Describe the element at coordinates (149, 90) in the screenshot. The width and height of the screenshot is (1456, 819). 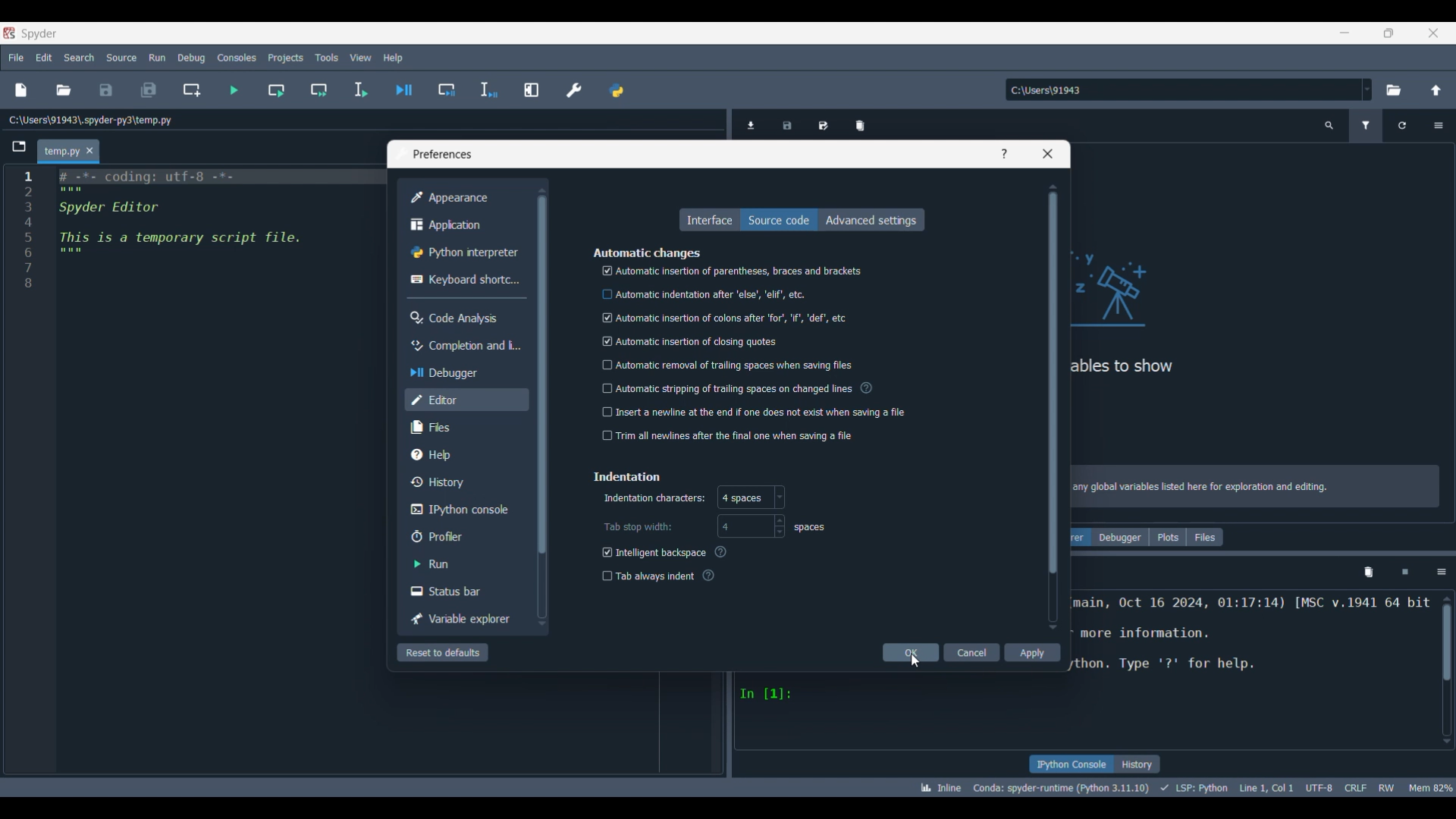
I see `Save all files` at that location.